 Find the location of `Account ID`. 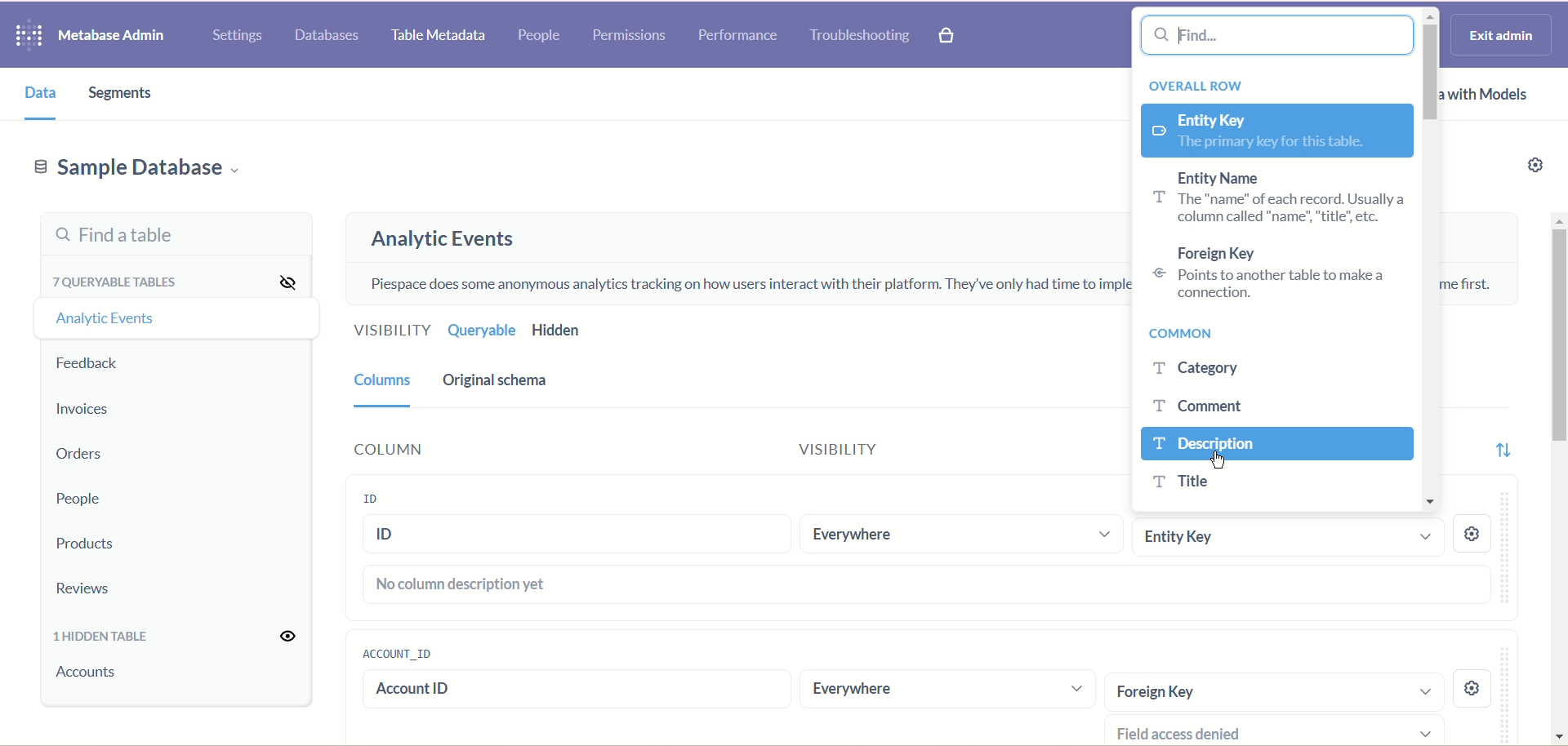

Account ID is located at coordinates (567, 691).